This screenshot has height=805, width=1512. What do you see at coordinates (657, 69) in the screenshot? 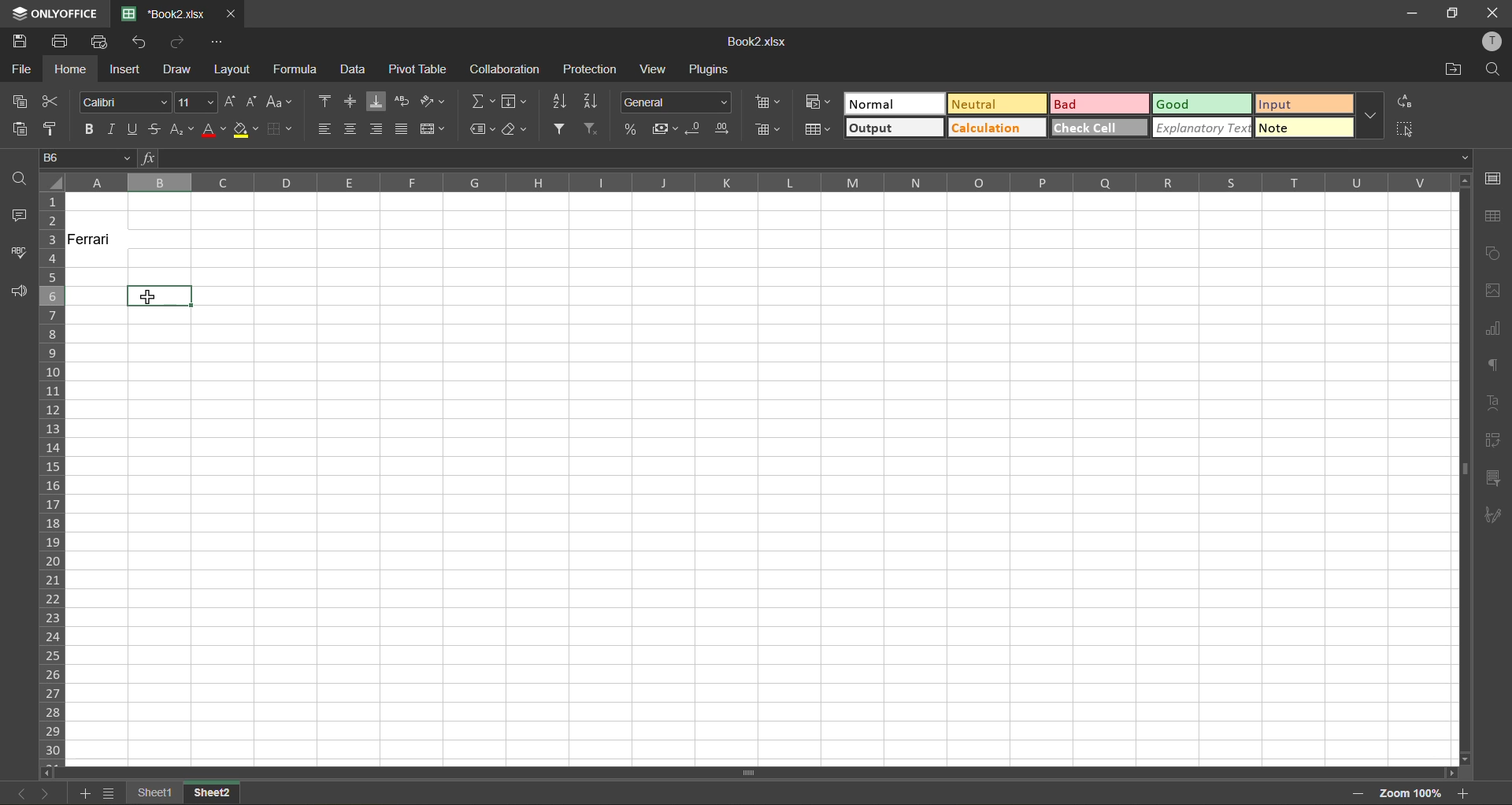
I see `view` at bounding box center [657, 69].